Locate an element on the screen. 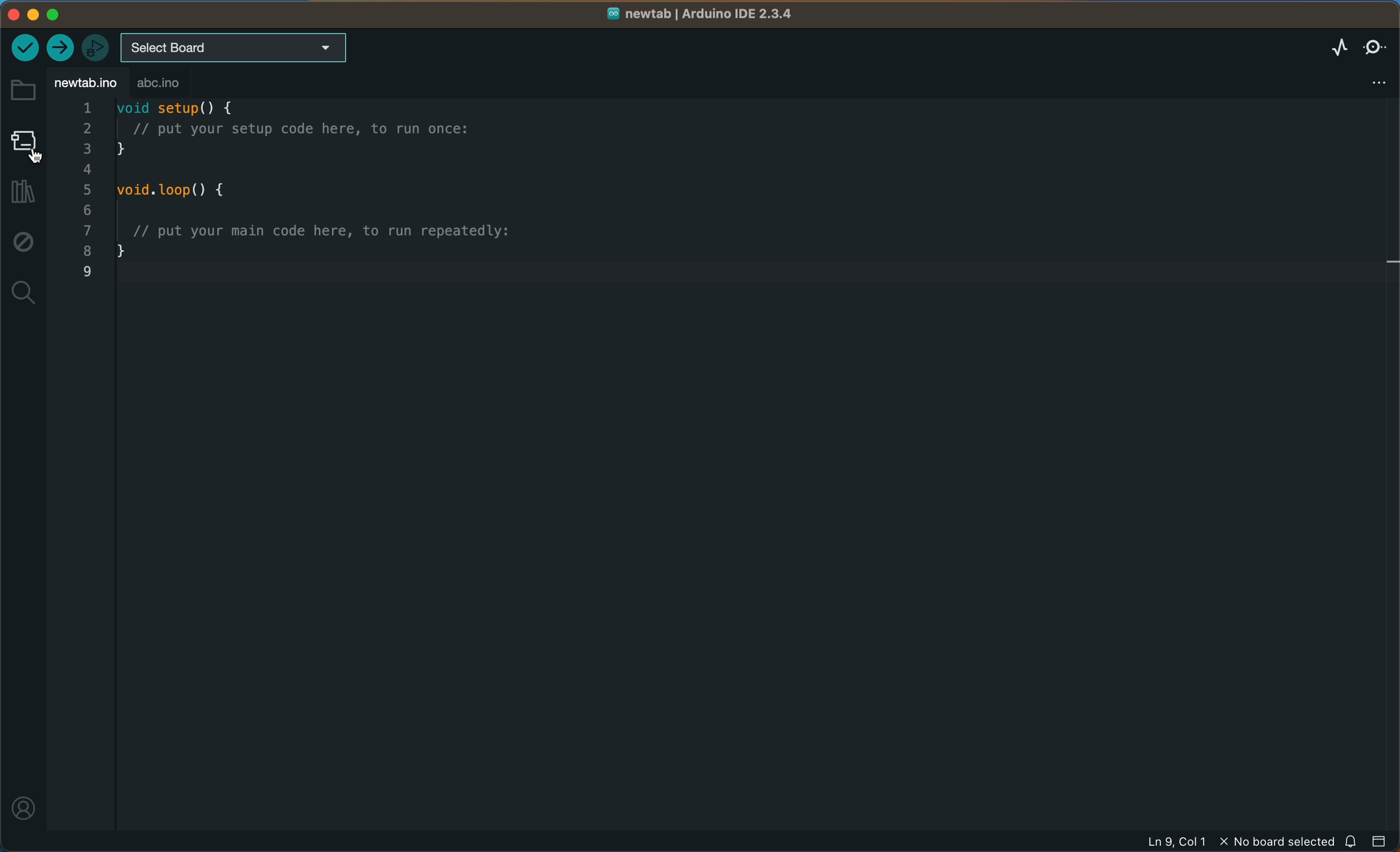 This screenshot has width=1400, height=852. folder is located at coordinates (23, 91).